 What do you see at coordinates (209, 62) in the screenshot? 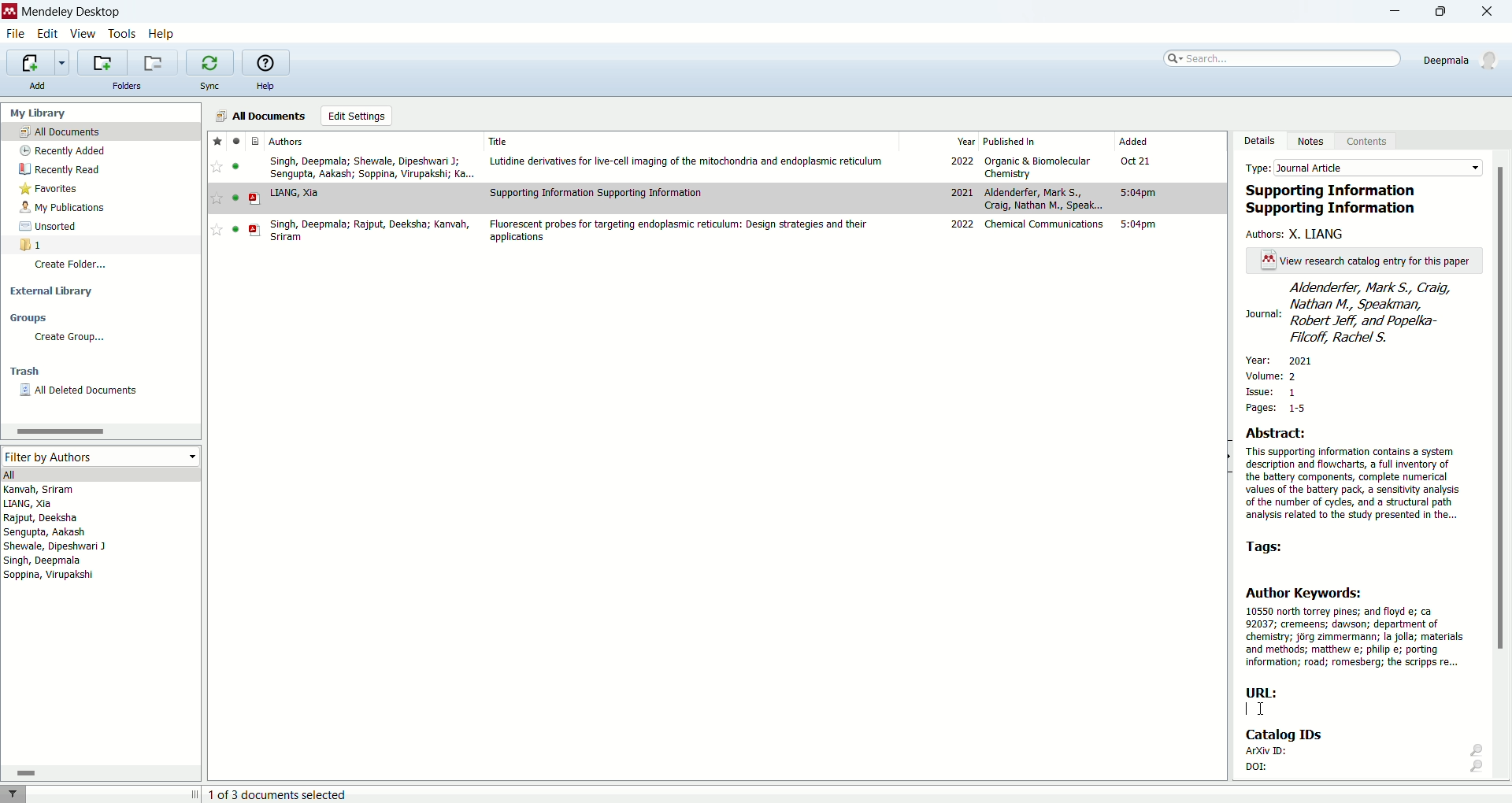
I see `synchronize library with mendeley web` at bounding box center [209, 62].